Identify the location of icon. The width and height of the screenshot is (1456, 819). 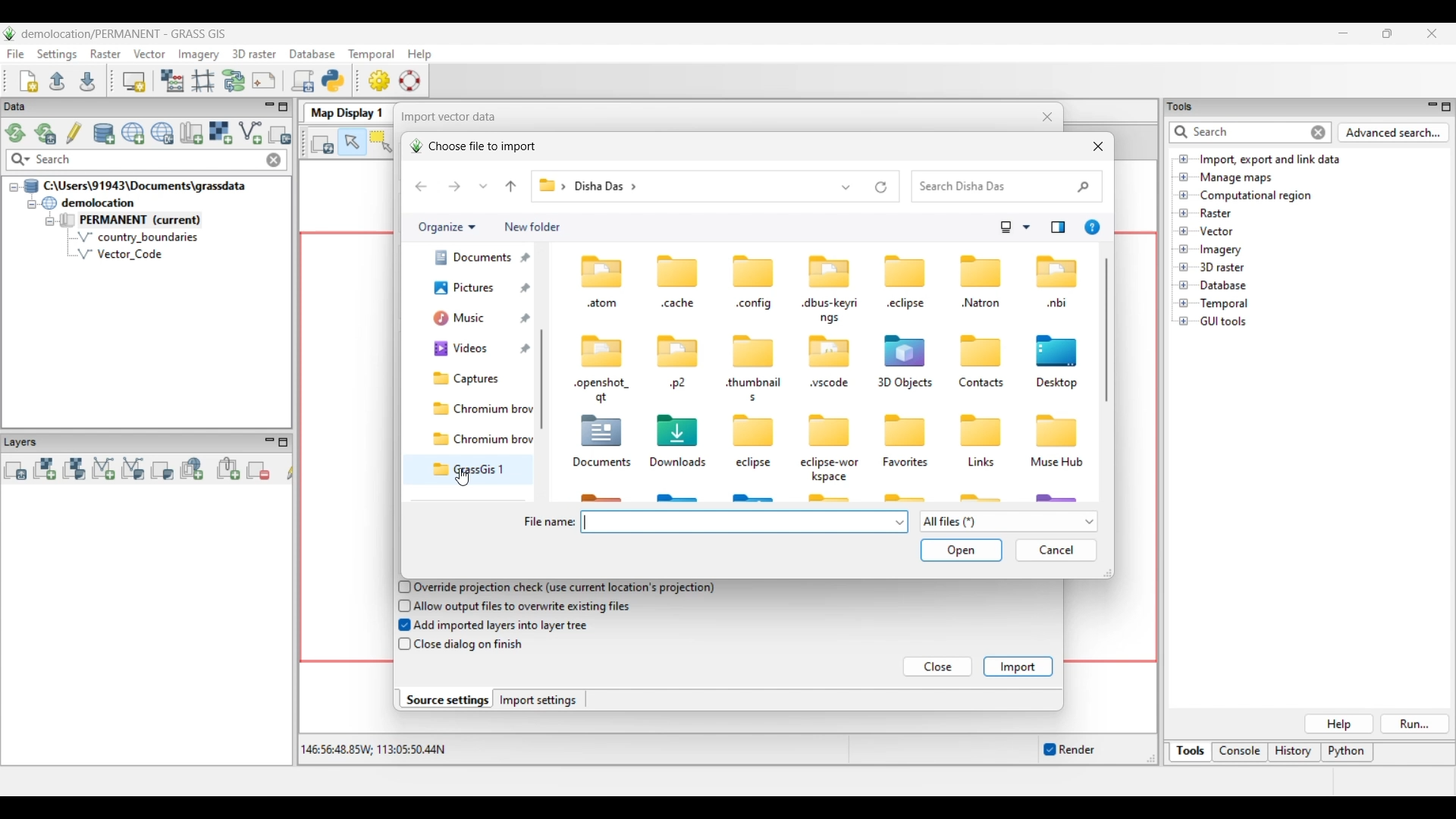
(748, 431).